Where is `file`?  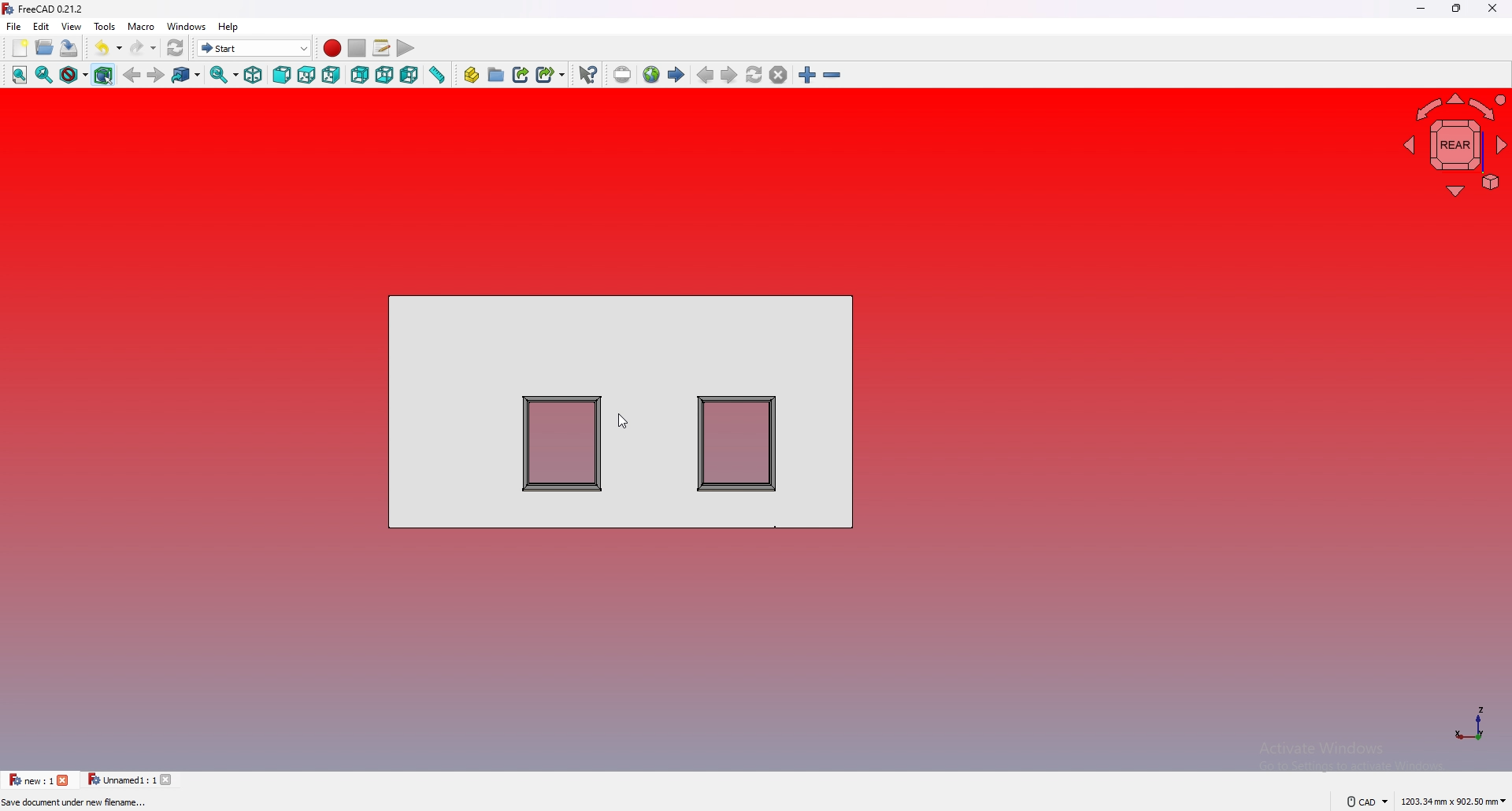 file is located at coordinates (13, 26).